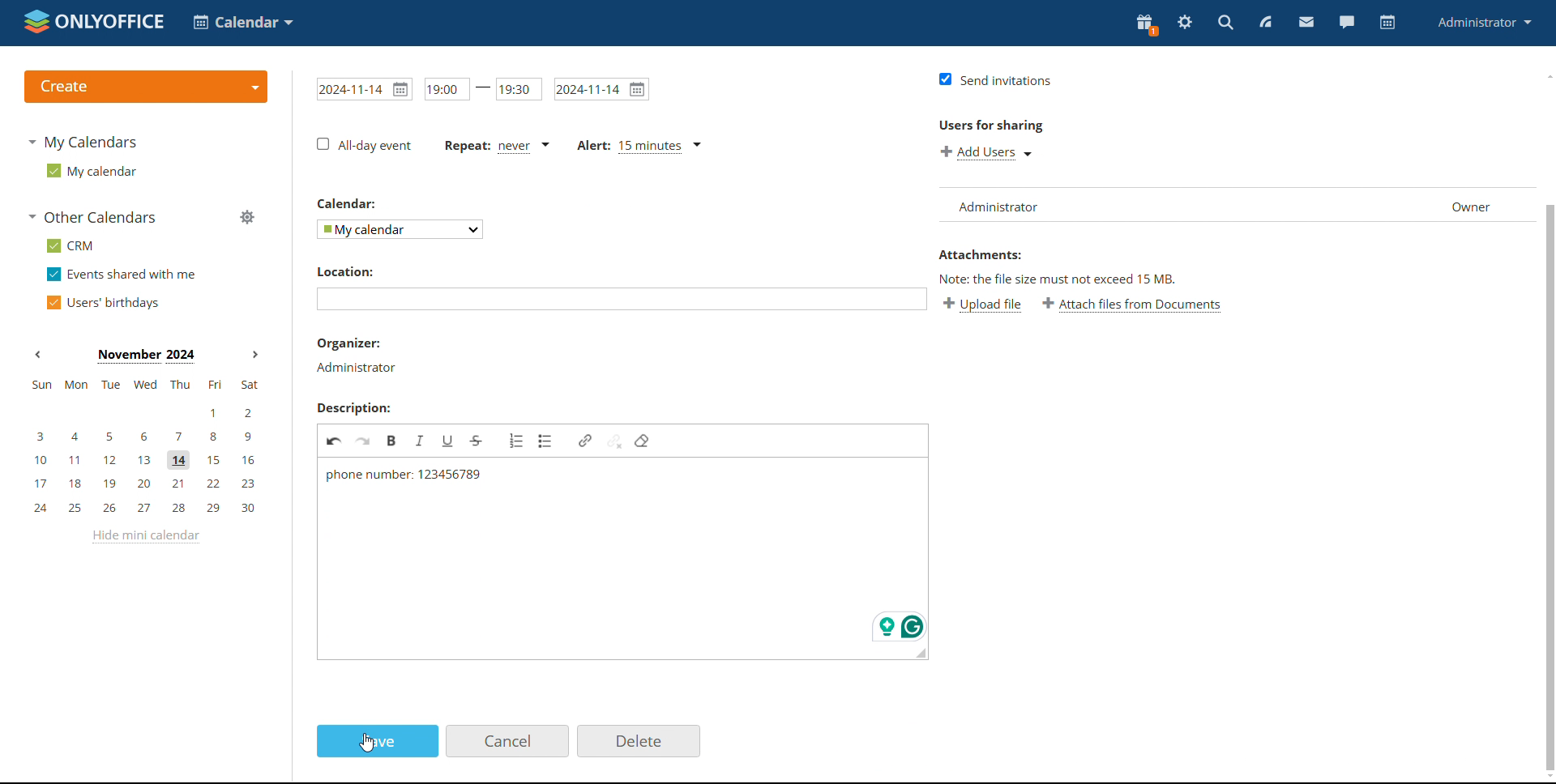  What do you see at coordinates (366, 745) in the screenshot?
I see `cursor` at bounding box center [366, 745].